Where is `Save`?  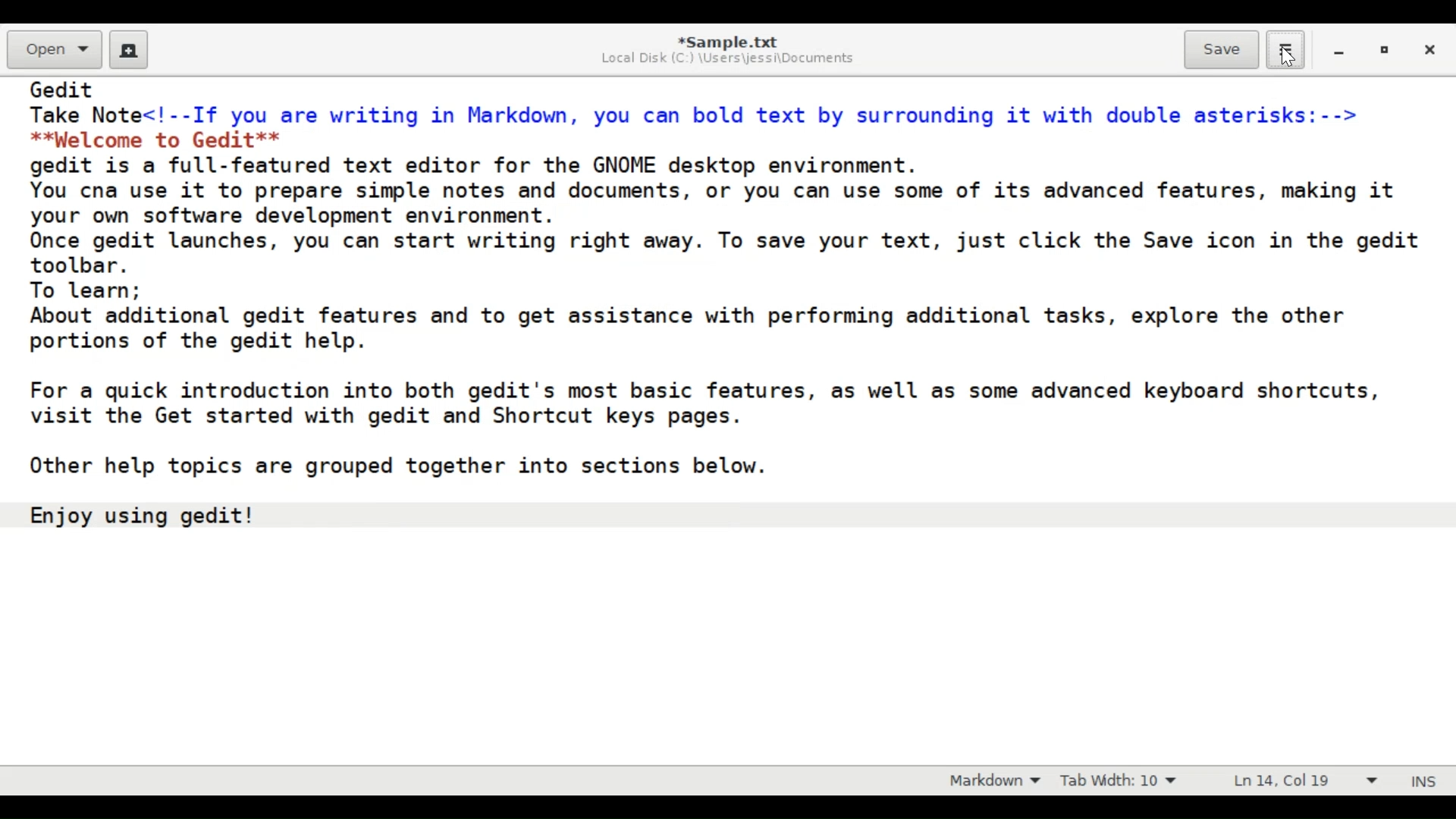
Save is located at coordinates (1221, 50).